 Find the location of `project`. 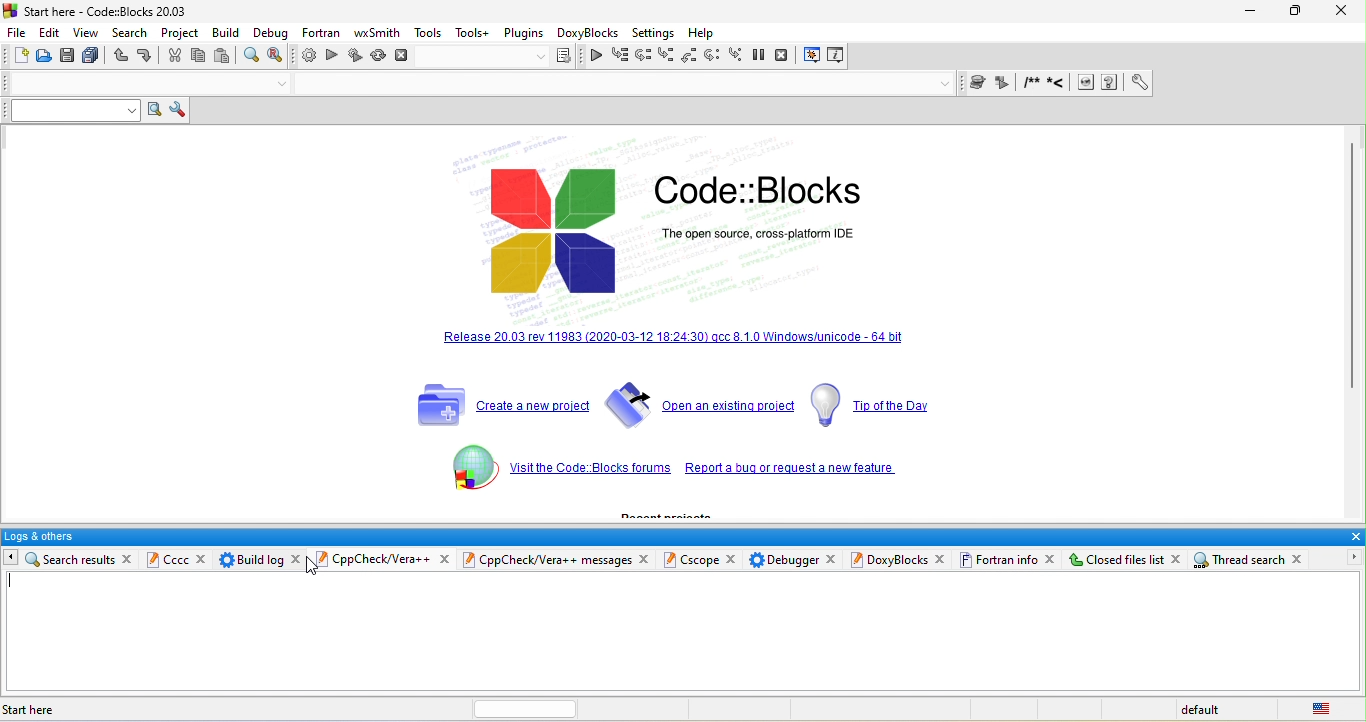

project is located at coordinates (184, 35).